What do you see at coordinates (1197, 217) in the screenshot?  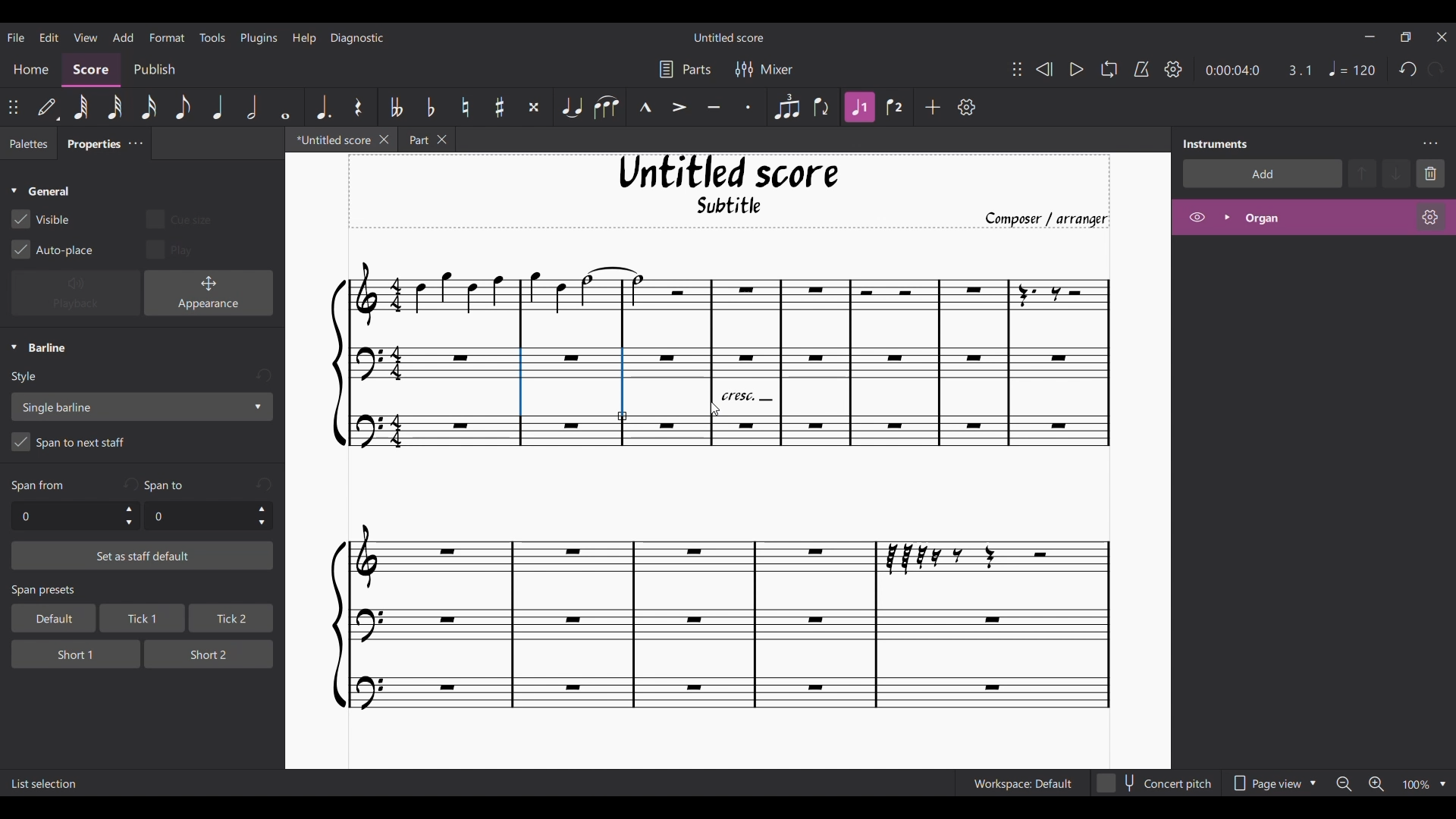 I see `Hide Organ` at bounding box center [1197, 217].